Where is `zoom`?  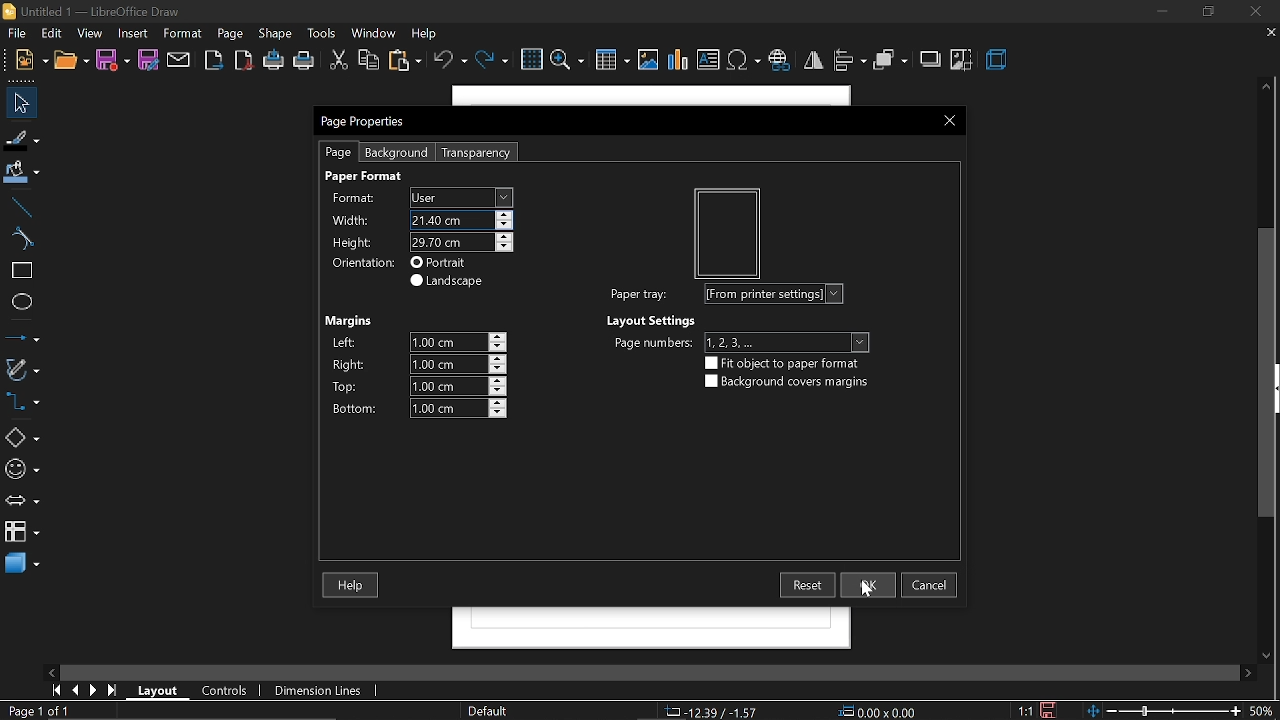
zoom is located at coordinates (567, 60).